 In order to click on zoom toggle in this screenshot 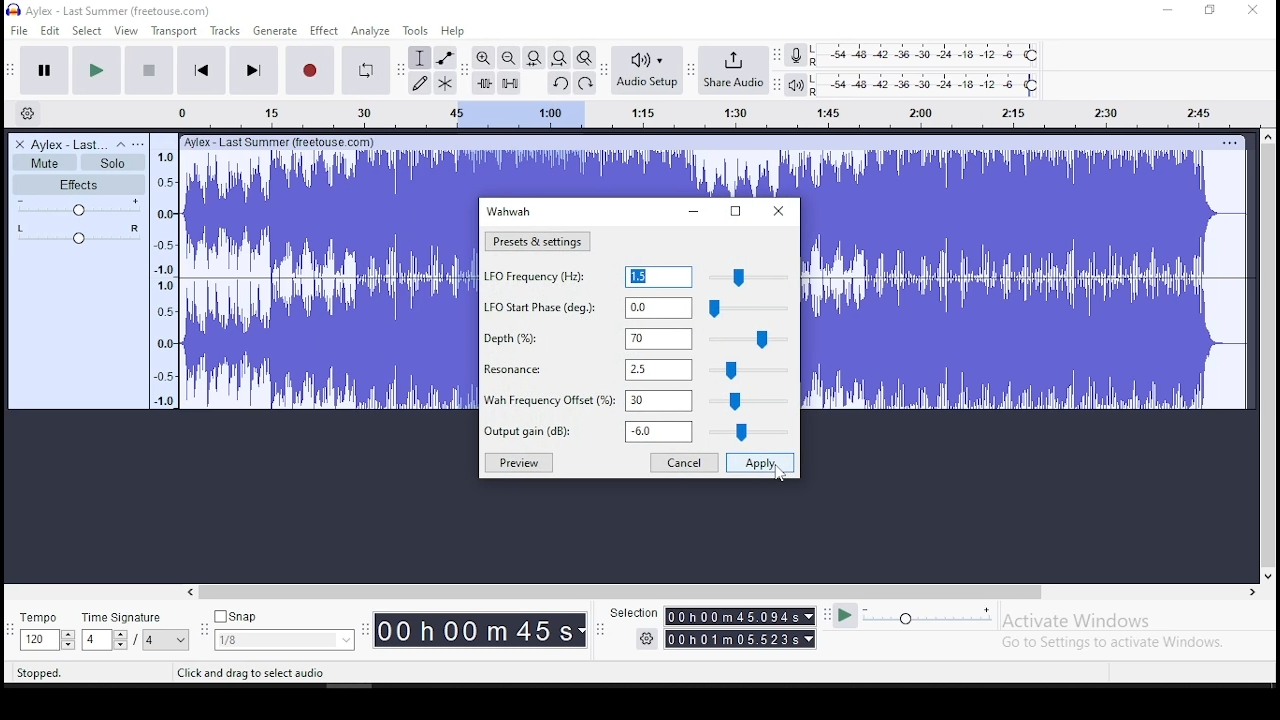, I will do `click(585, 57)`.